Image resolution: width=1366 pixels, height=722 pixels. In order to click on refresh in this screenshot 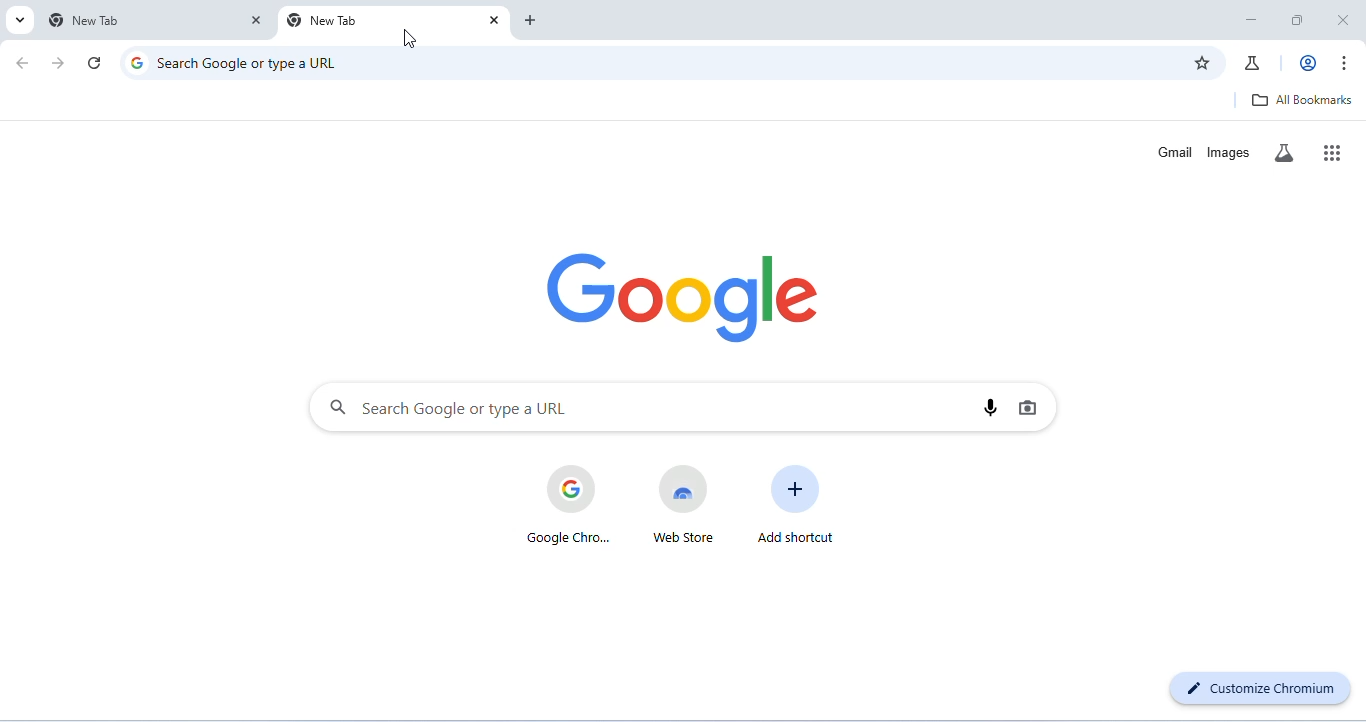, I will do `click(94, 64)`.